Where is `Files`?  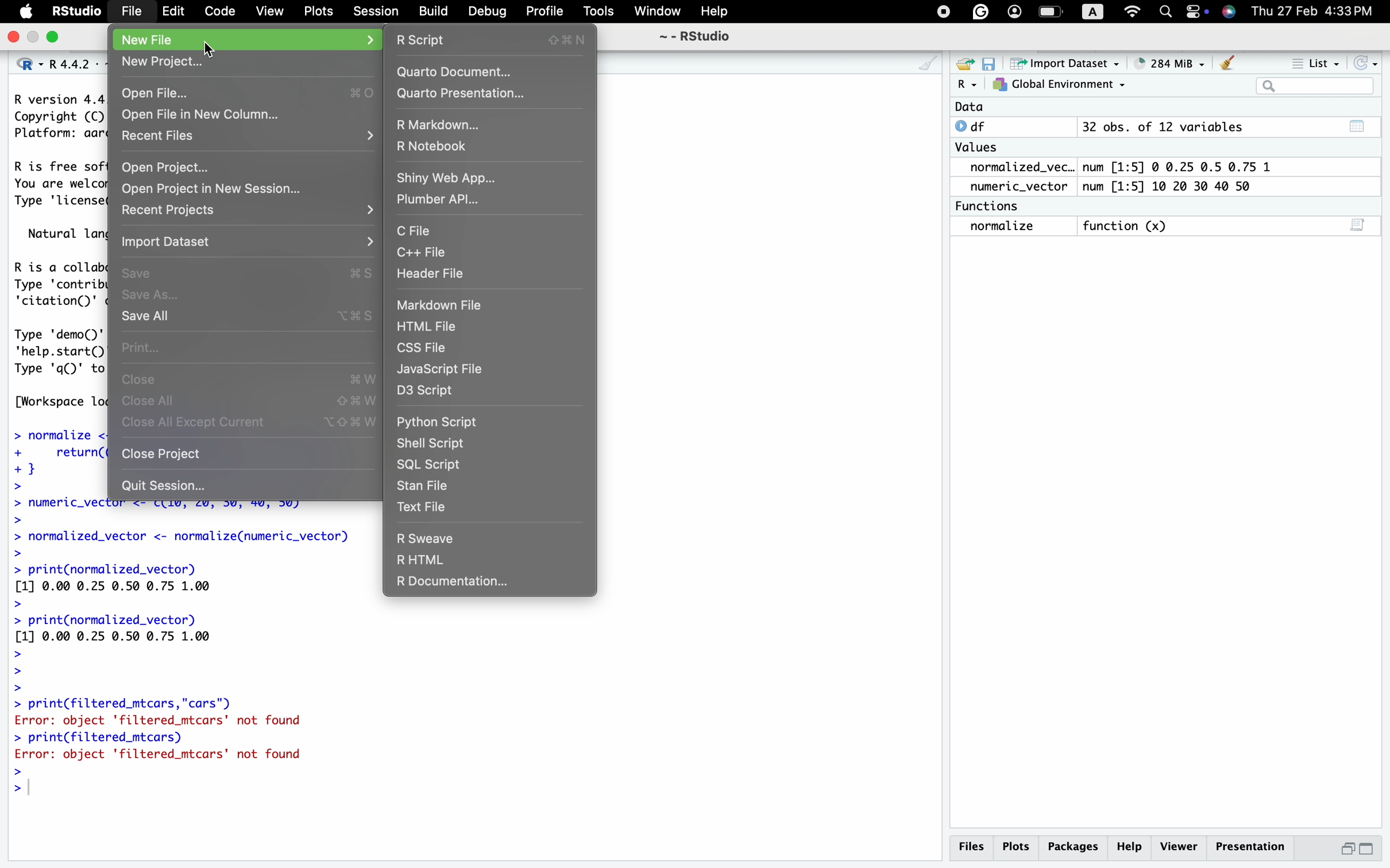 Files is located at coordinates (973, 849).